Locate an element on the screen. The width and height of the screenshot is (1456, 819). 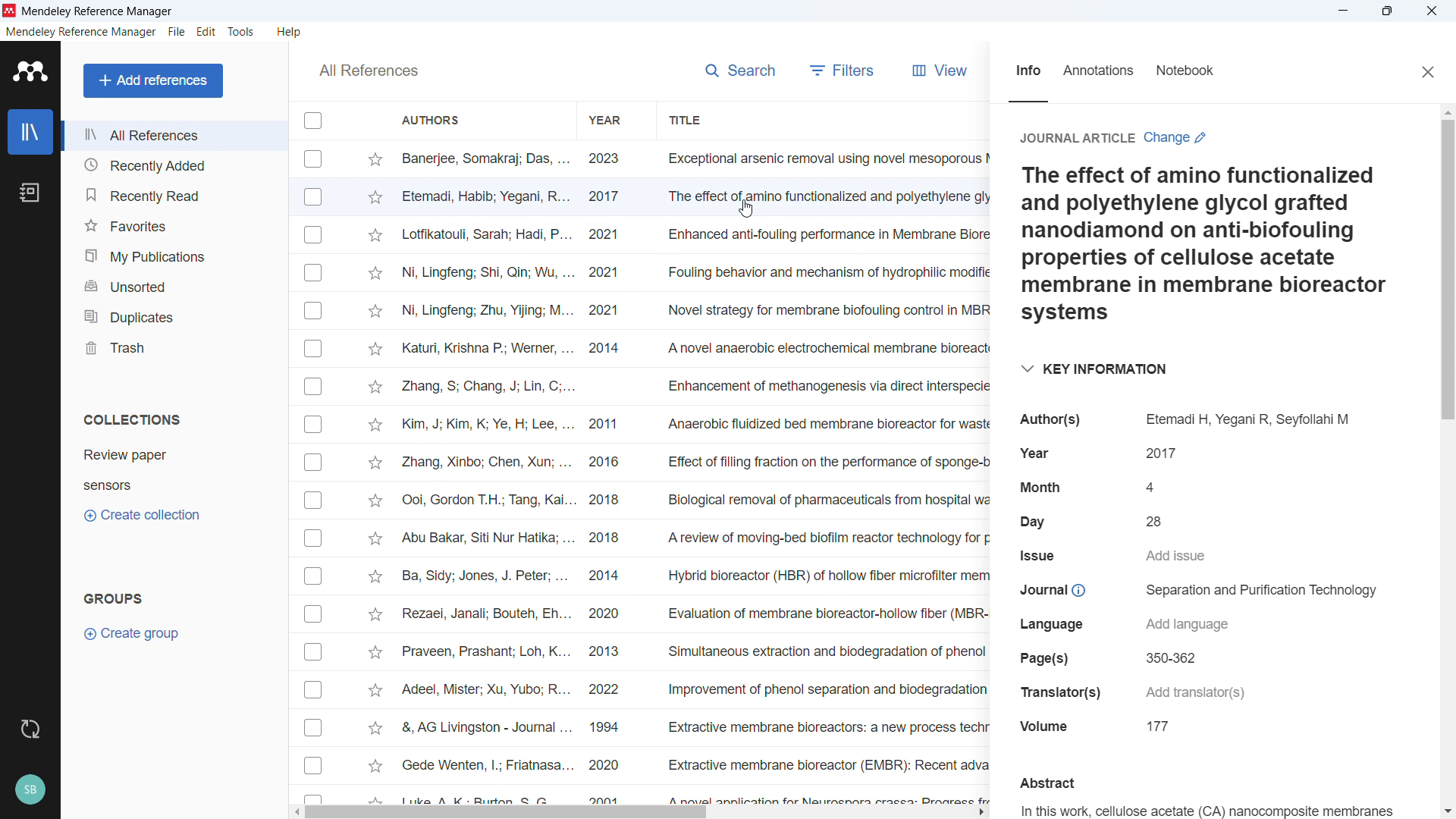
Abstract  is located at coordinates (1203, 795).